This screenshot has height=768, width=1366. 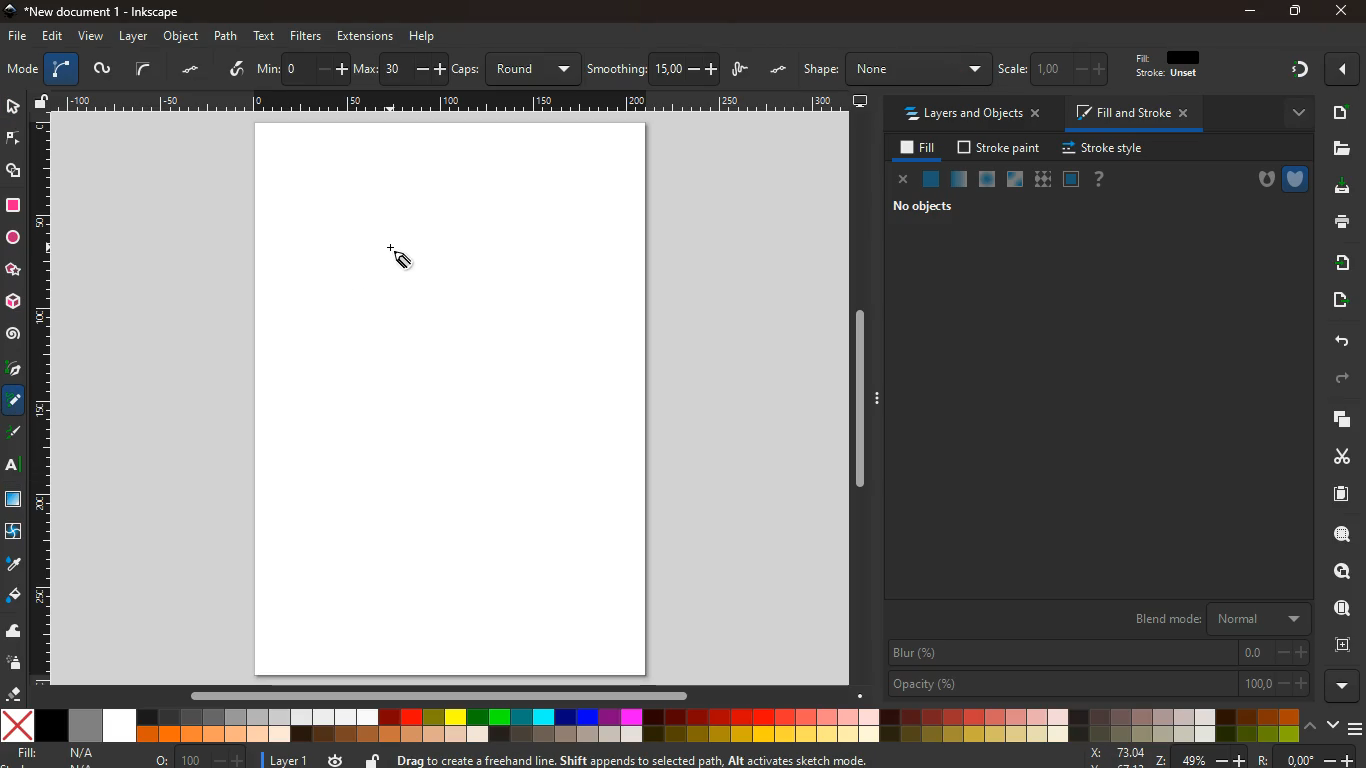 I want to click on pick, so click(x=12, y=370).